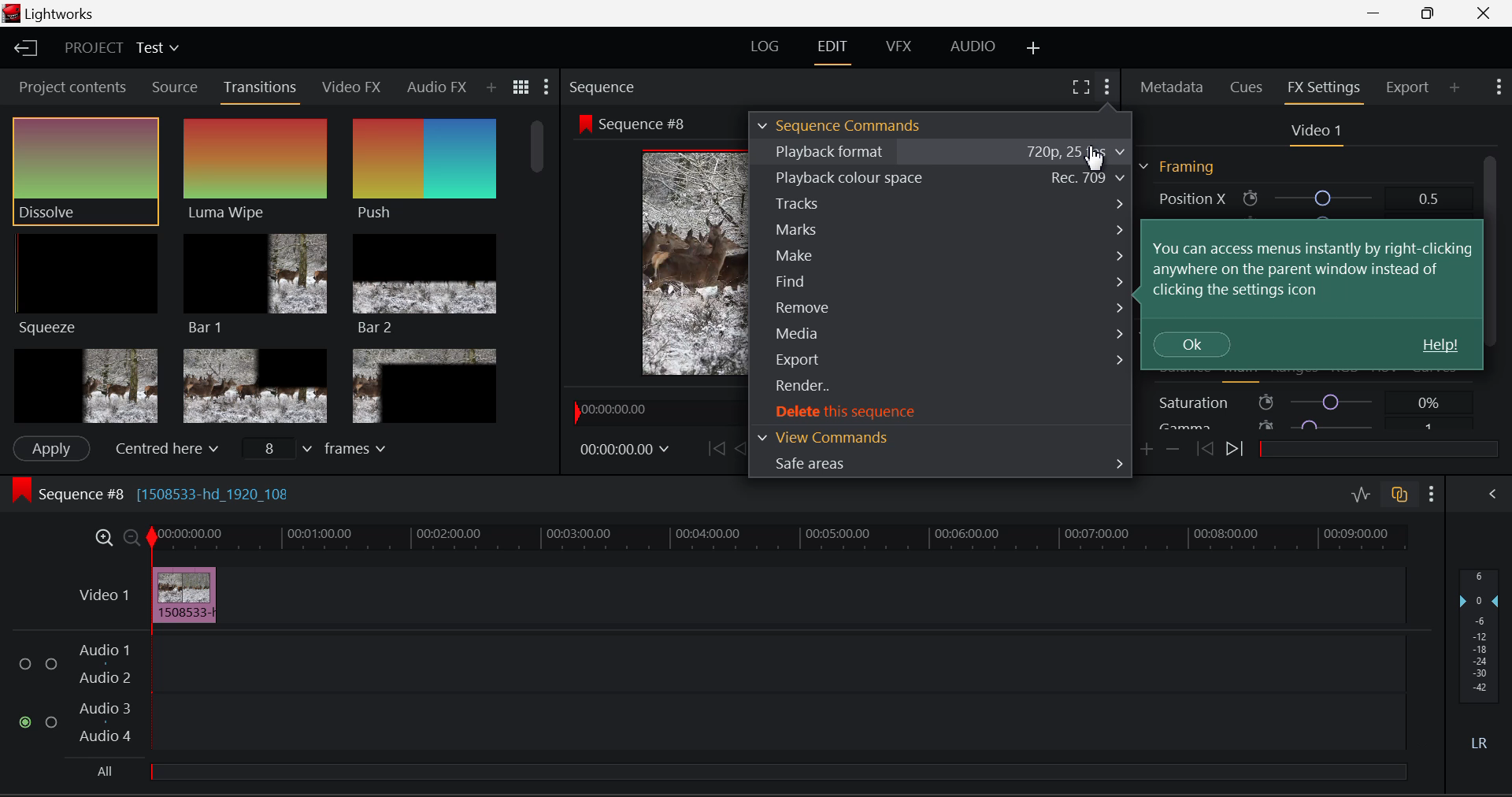  Describe the element at coordinates (742, 448) in the screenshot. I see `Go Back` at that location.